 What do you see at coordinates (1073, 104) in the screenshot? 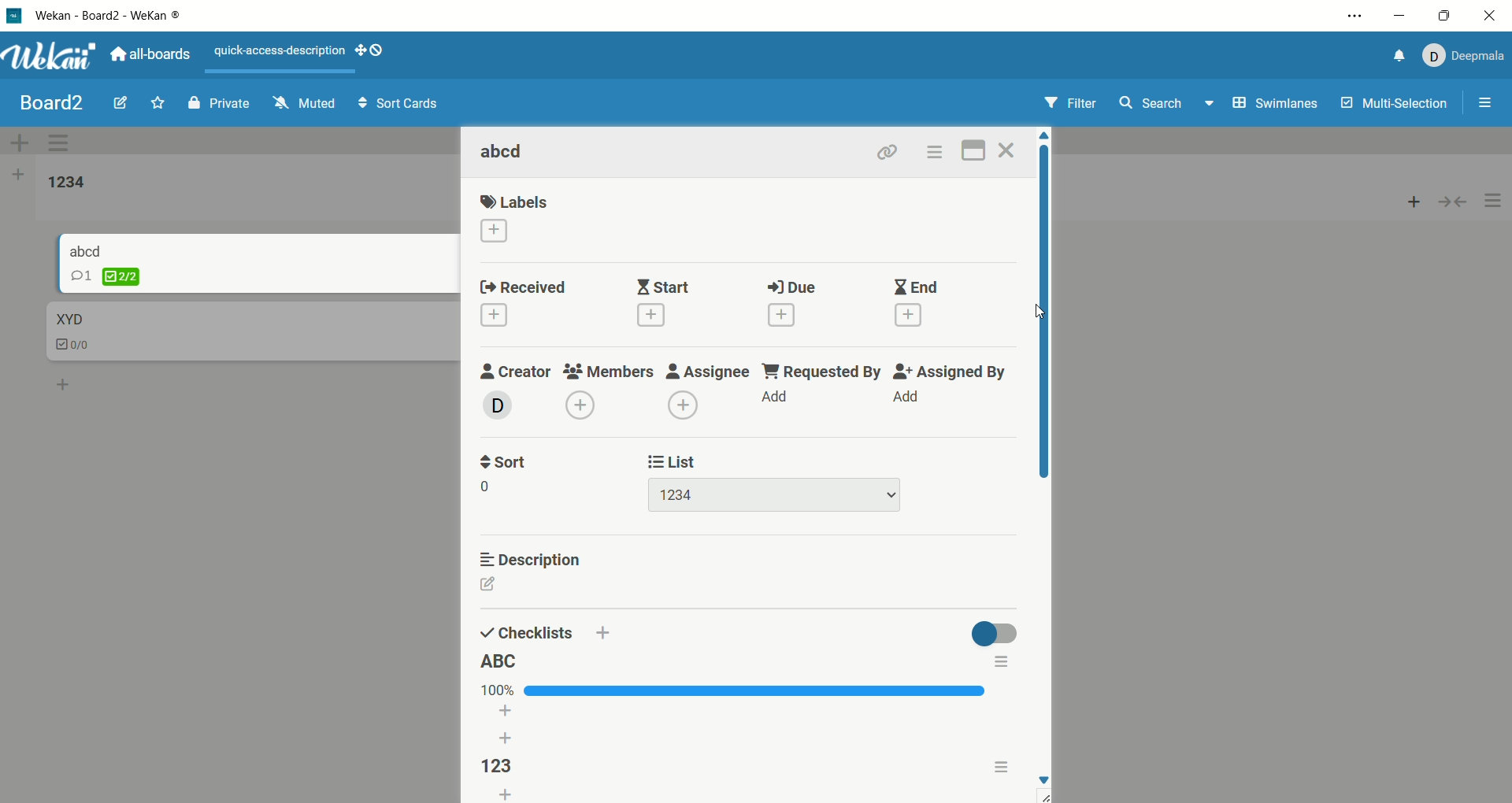
I see `filter` at bounding box center [1073, 104].